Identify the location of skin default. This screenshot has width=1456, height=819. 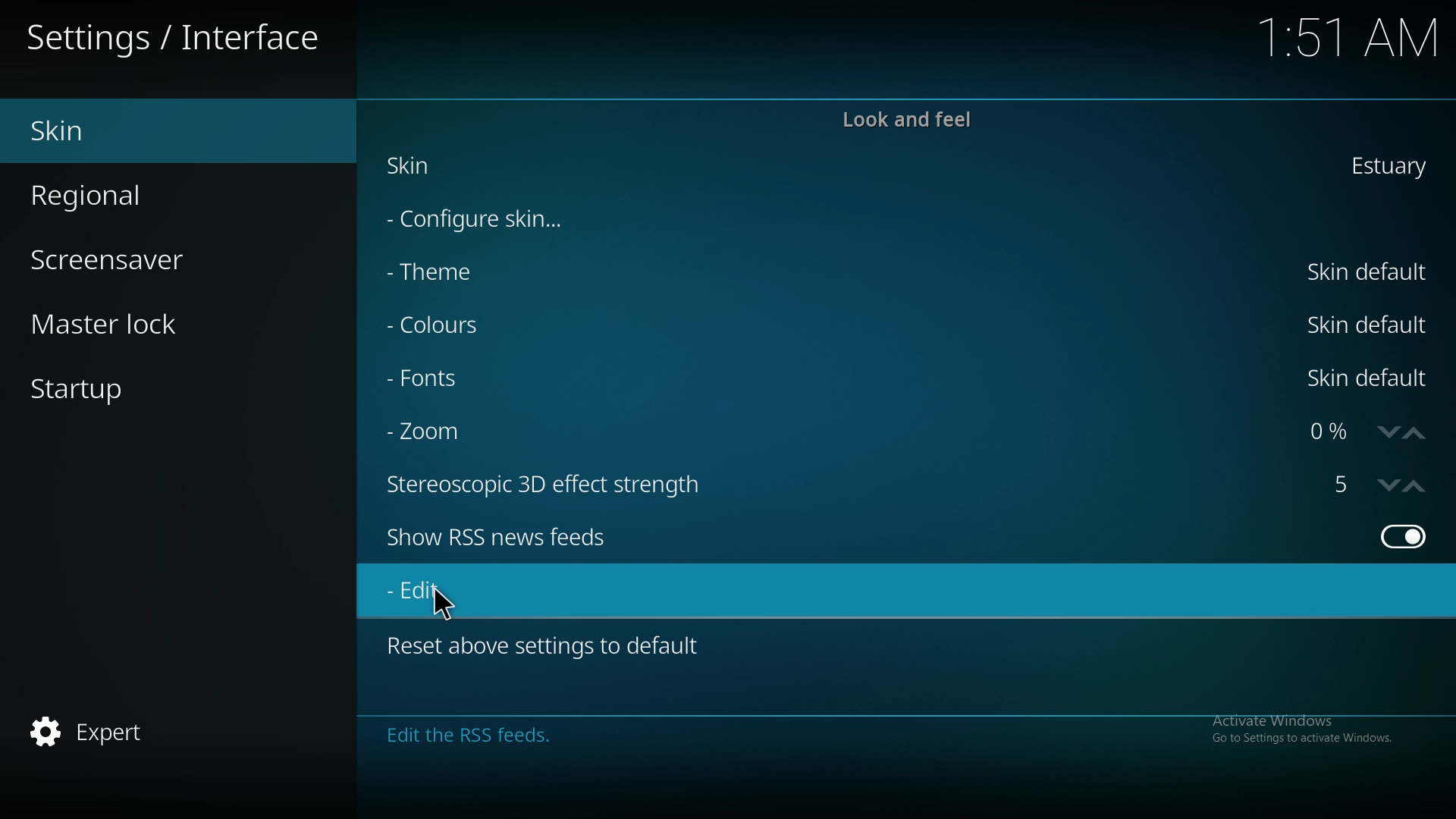
(1368, 323).